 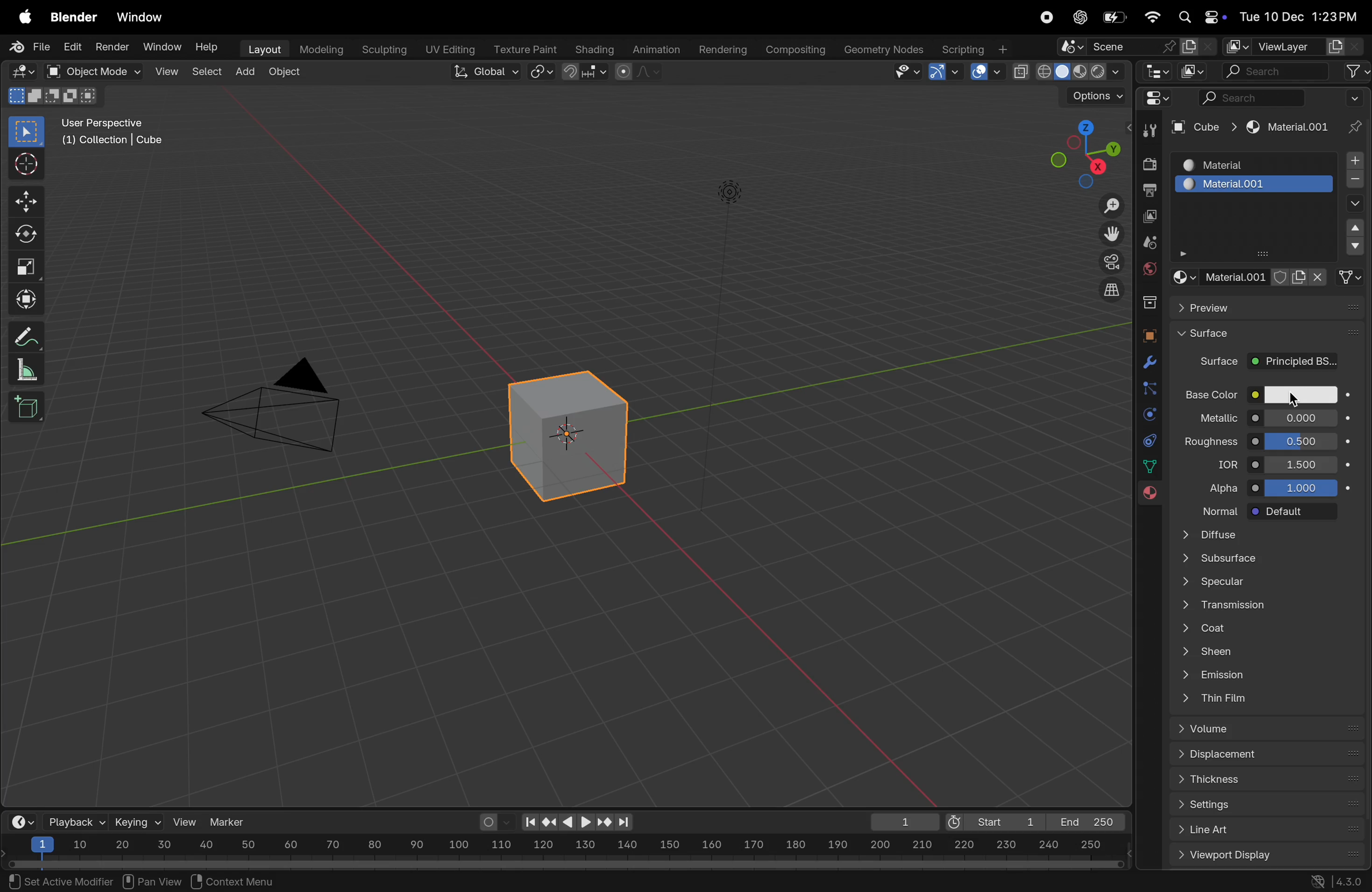 I want to click on render, so click(x=110, y=46).